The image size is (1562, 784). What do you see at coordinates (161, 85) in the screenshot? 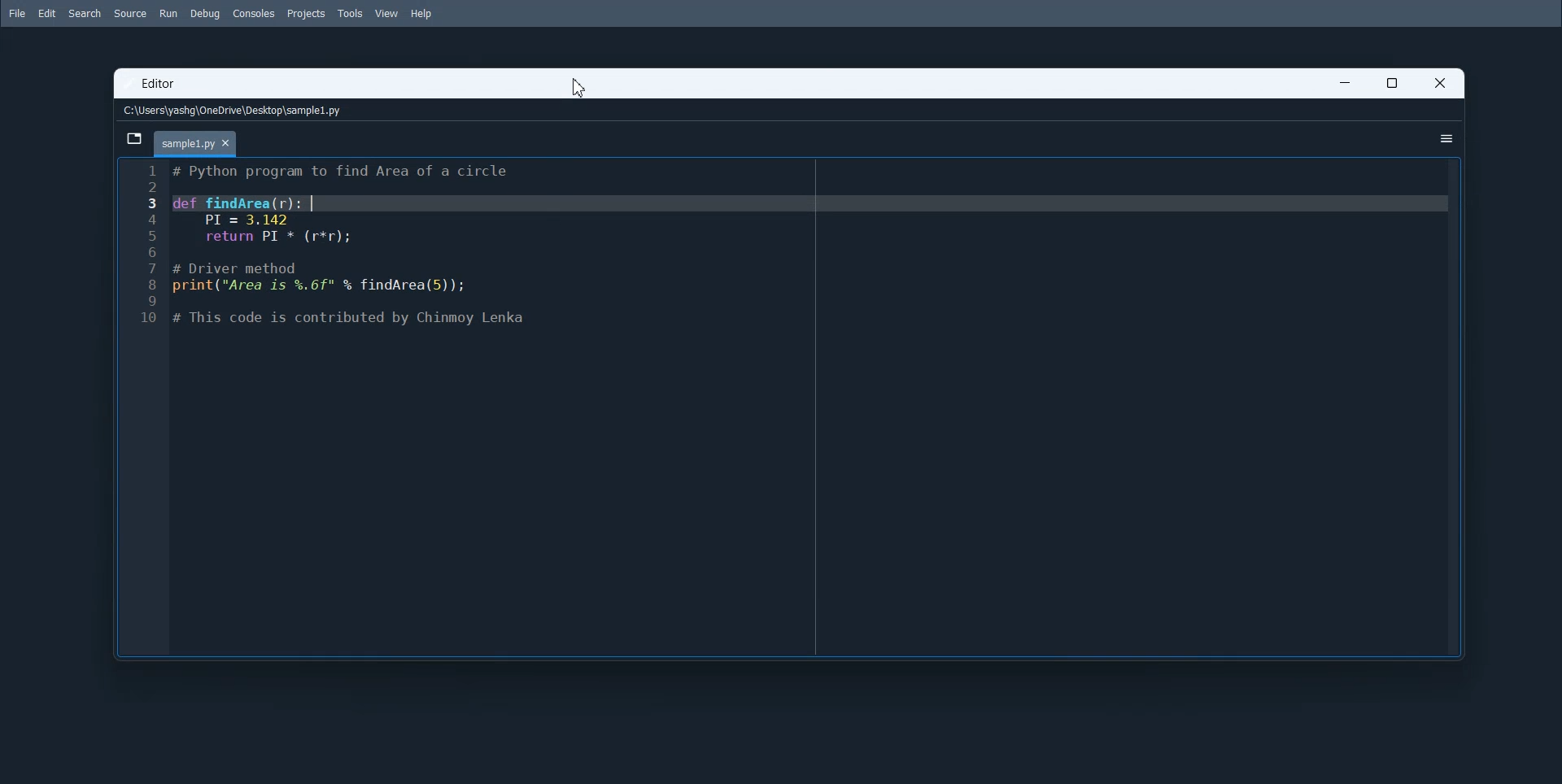
I see `Editor` at bounding box center [161, 85].